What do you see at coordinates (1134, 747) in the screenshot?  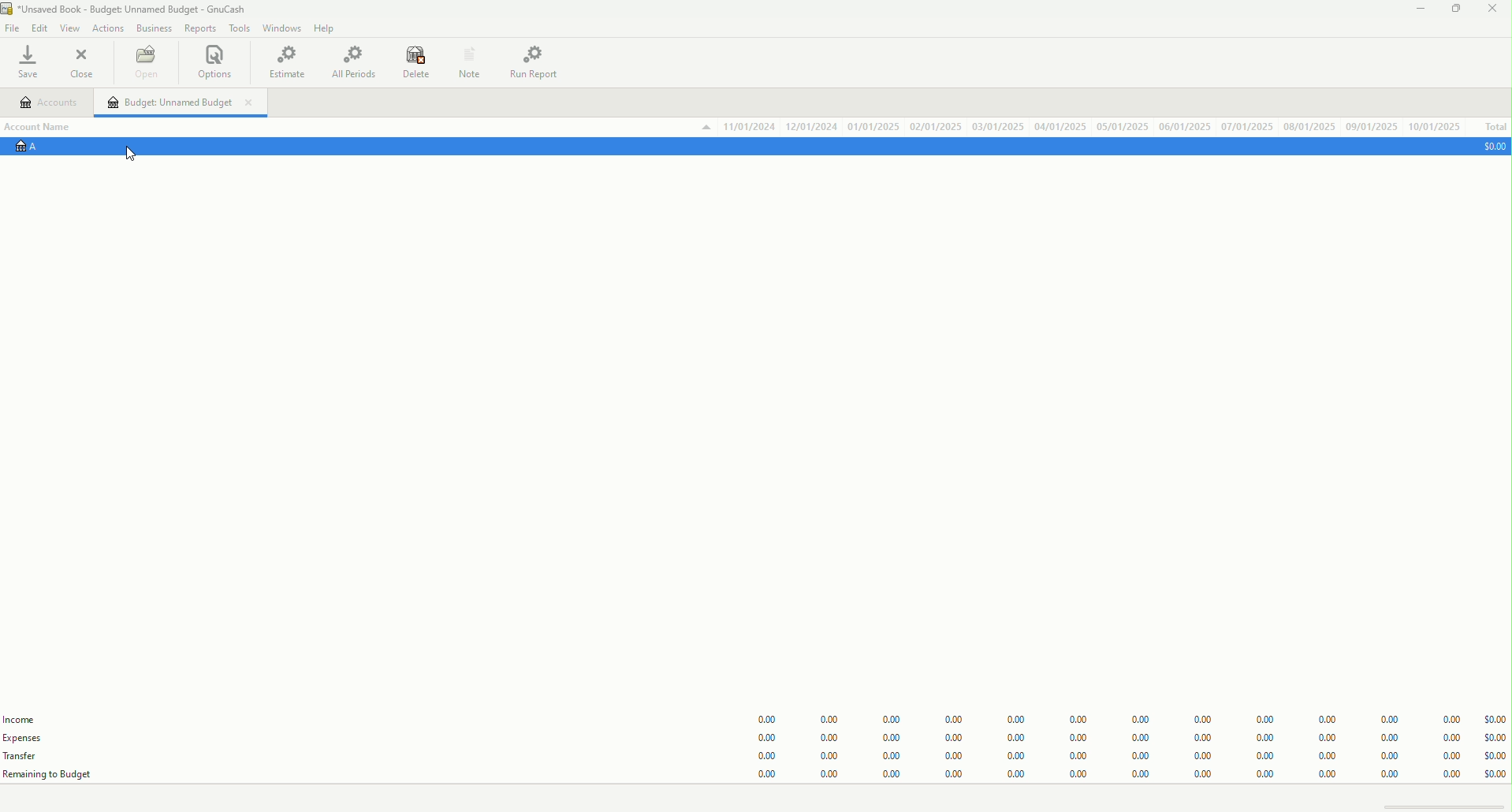 I see `$0` at bounding box center [1134, 747].